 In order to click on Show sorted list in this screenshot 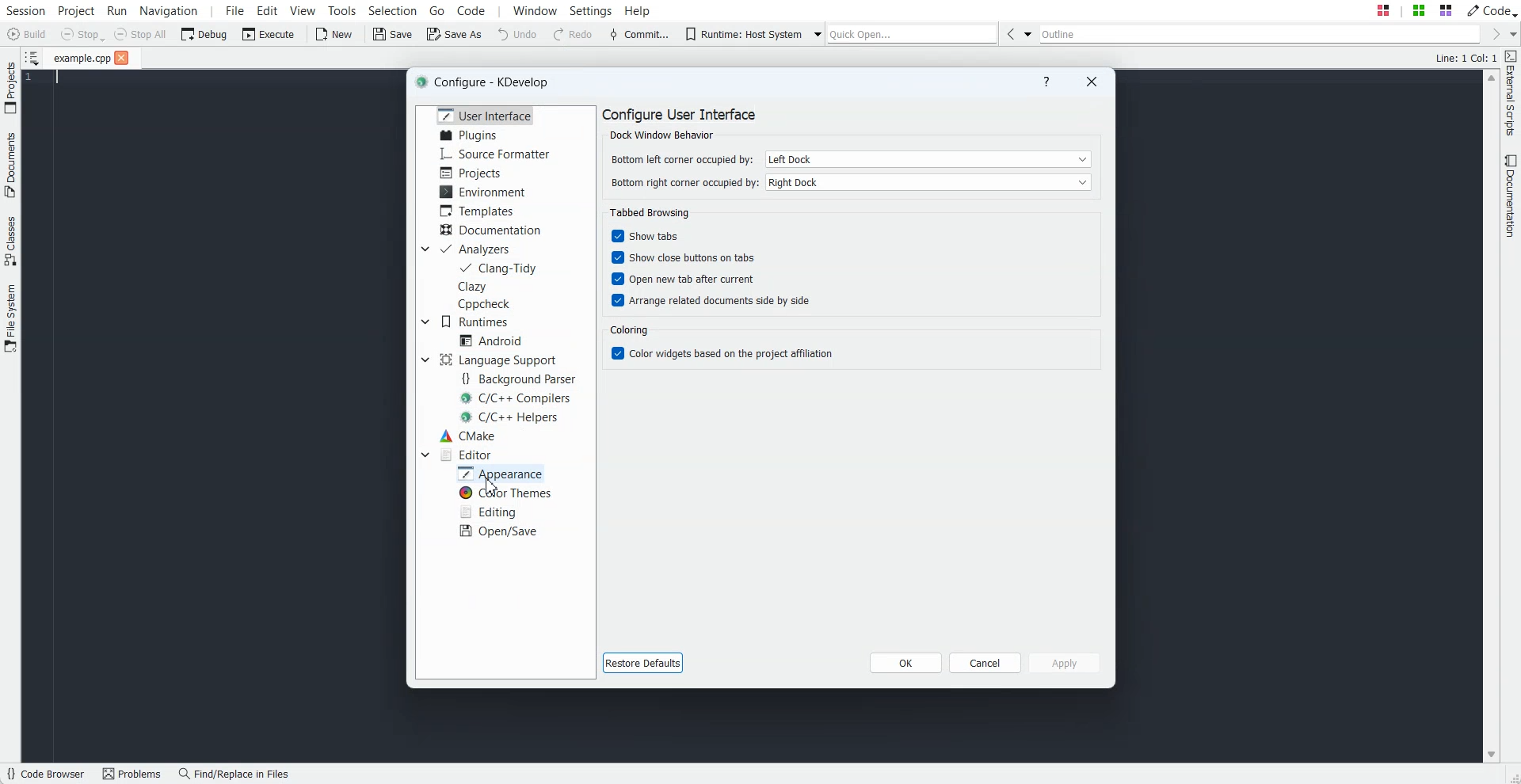, I will do `click(33, 56)`.